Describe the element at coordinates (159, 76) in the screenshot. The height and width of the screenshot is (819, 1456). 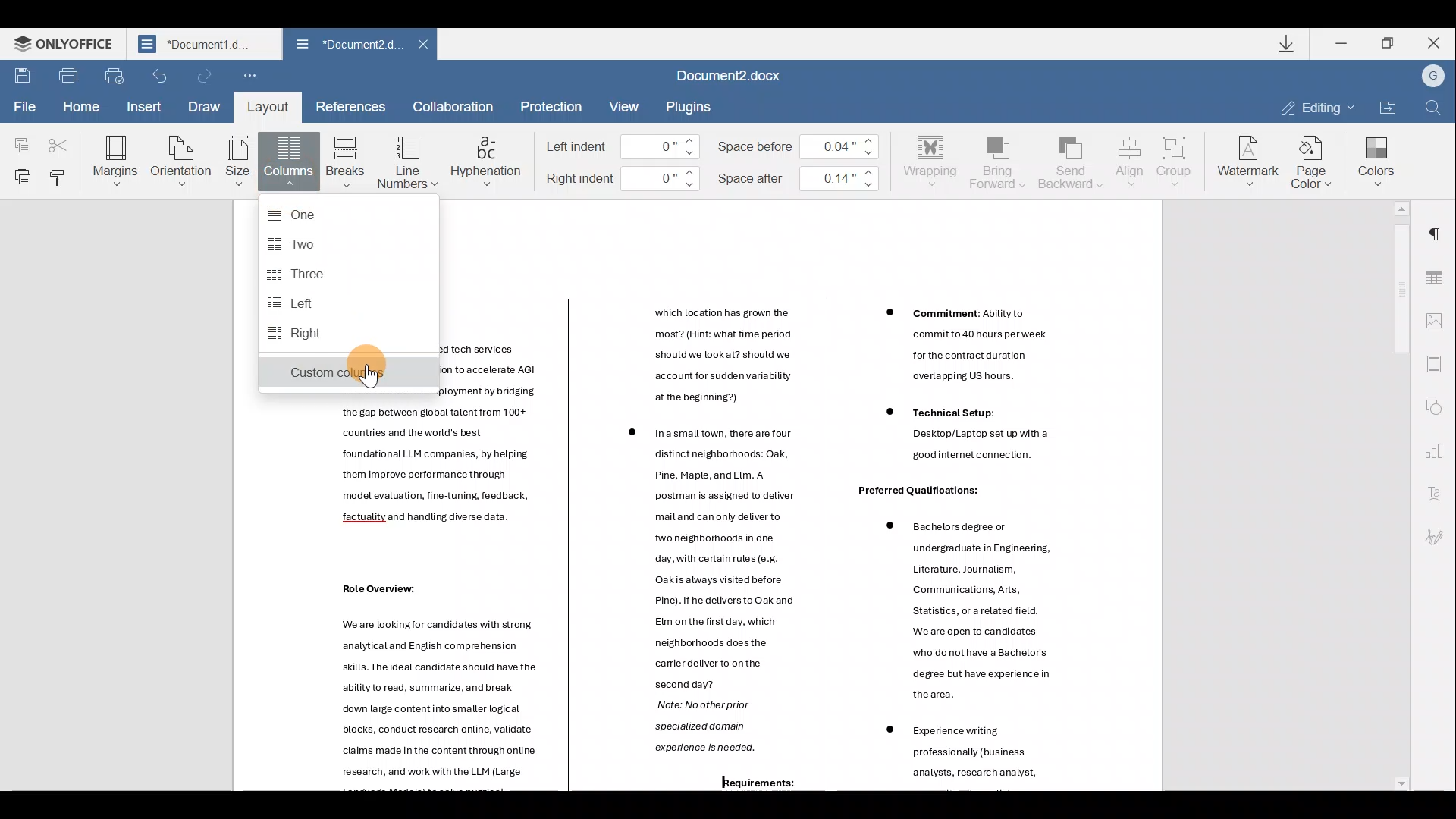
I see `Undo` at that location.